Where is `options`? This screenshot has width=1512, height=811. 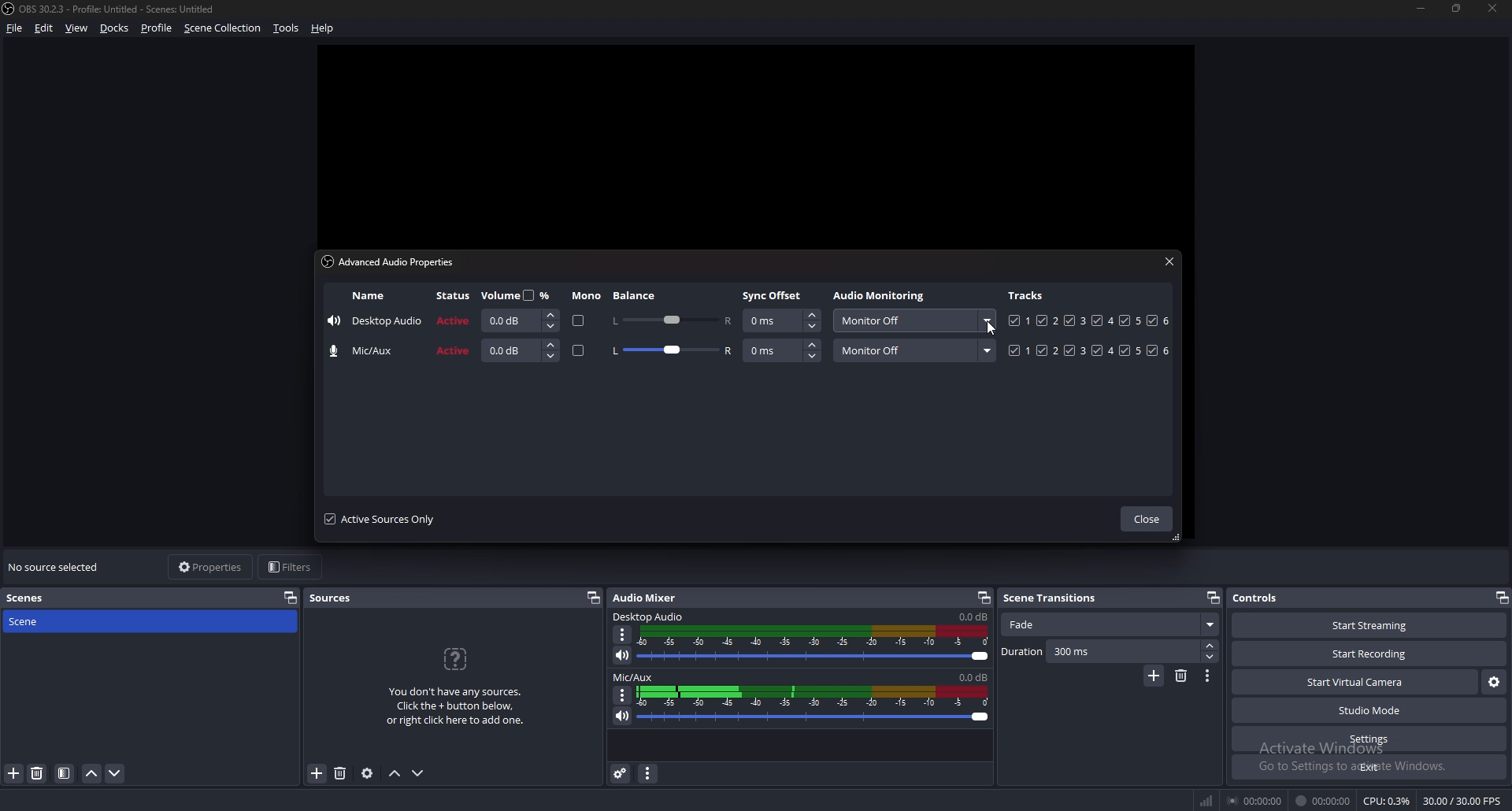 options is located at coordinates (1209, 676).